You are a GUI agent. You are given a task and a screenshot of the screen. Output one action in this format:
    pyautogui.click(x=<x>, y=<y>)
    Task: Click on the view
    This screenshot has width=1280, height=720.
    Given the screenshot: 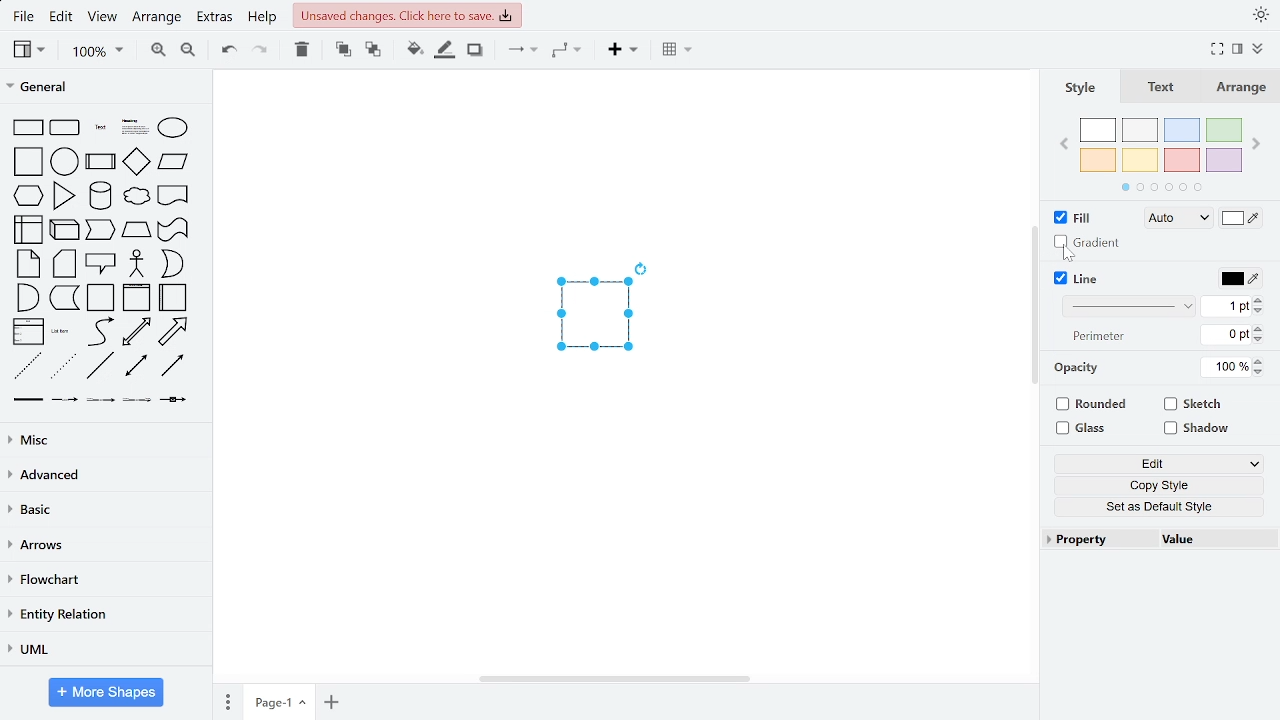 What is the action you would take?
    pyautogui.click(x=27, y=51)
    